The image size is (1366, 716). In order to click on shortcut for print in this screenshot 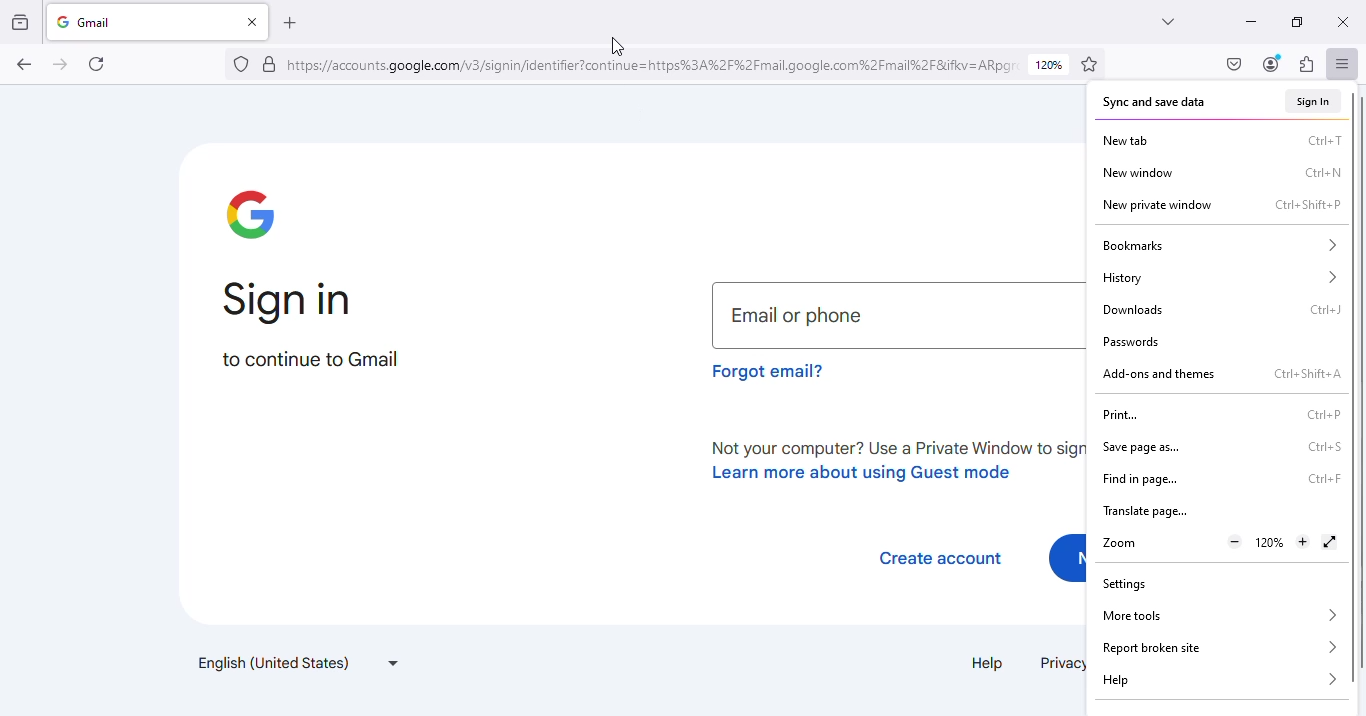, I will do `click(1324, 414)`.